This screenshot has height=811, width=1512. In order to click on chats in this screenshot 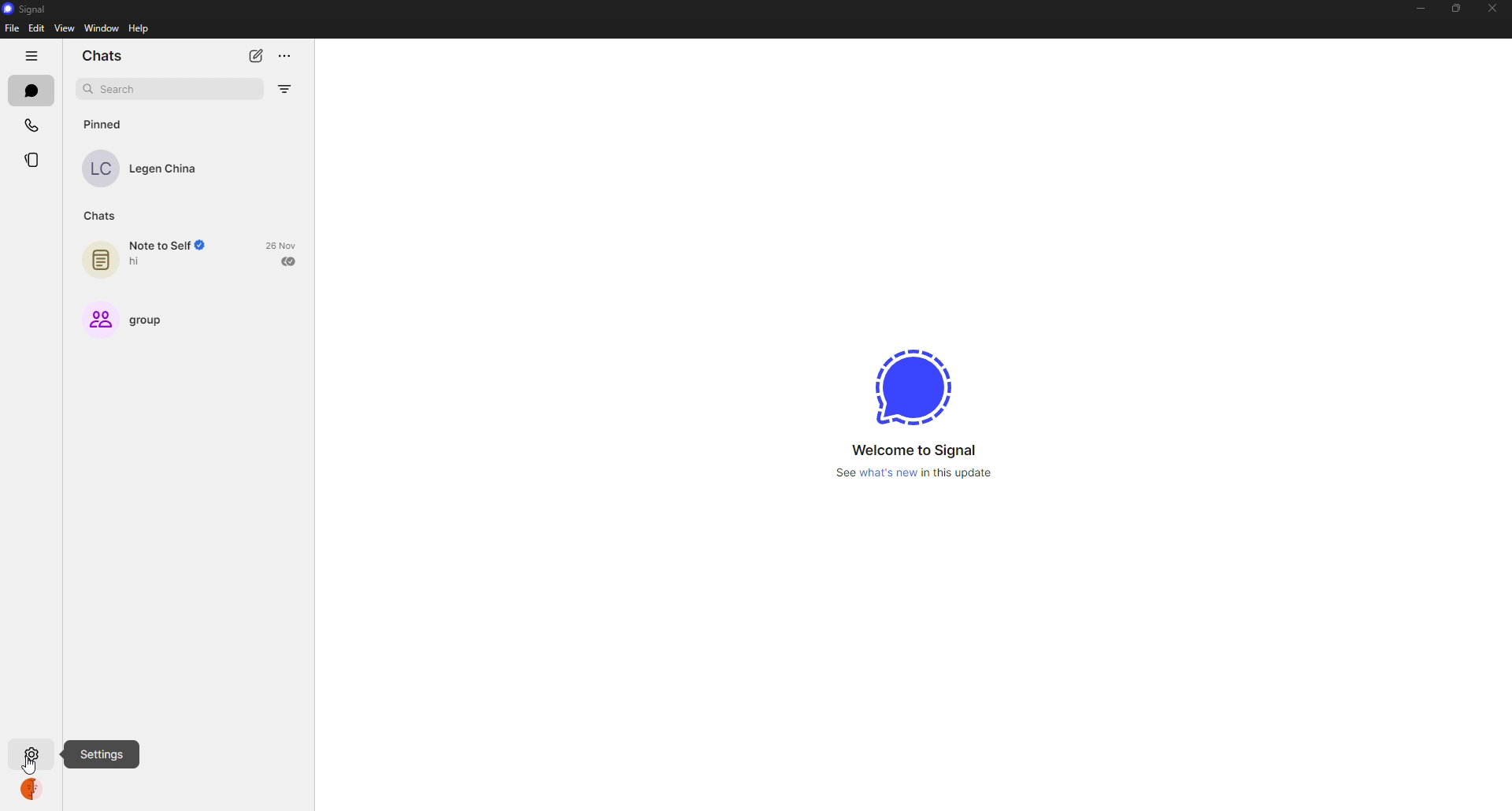, I will do `click(105, 55)`.